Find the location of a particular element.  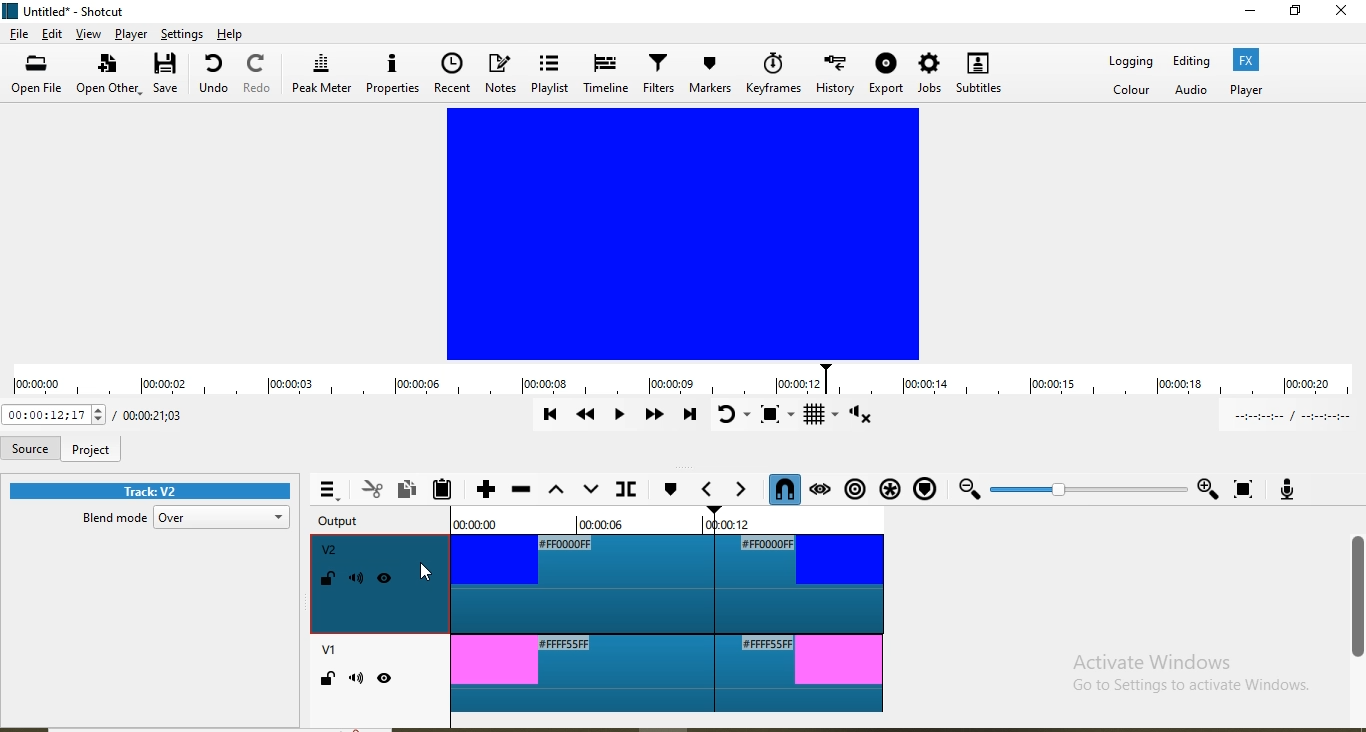

close is located at coordinates (1342, 21).